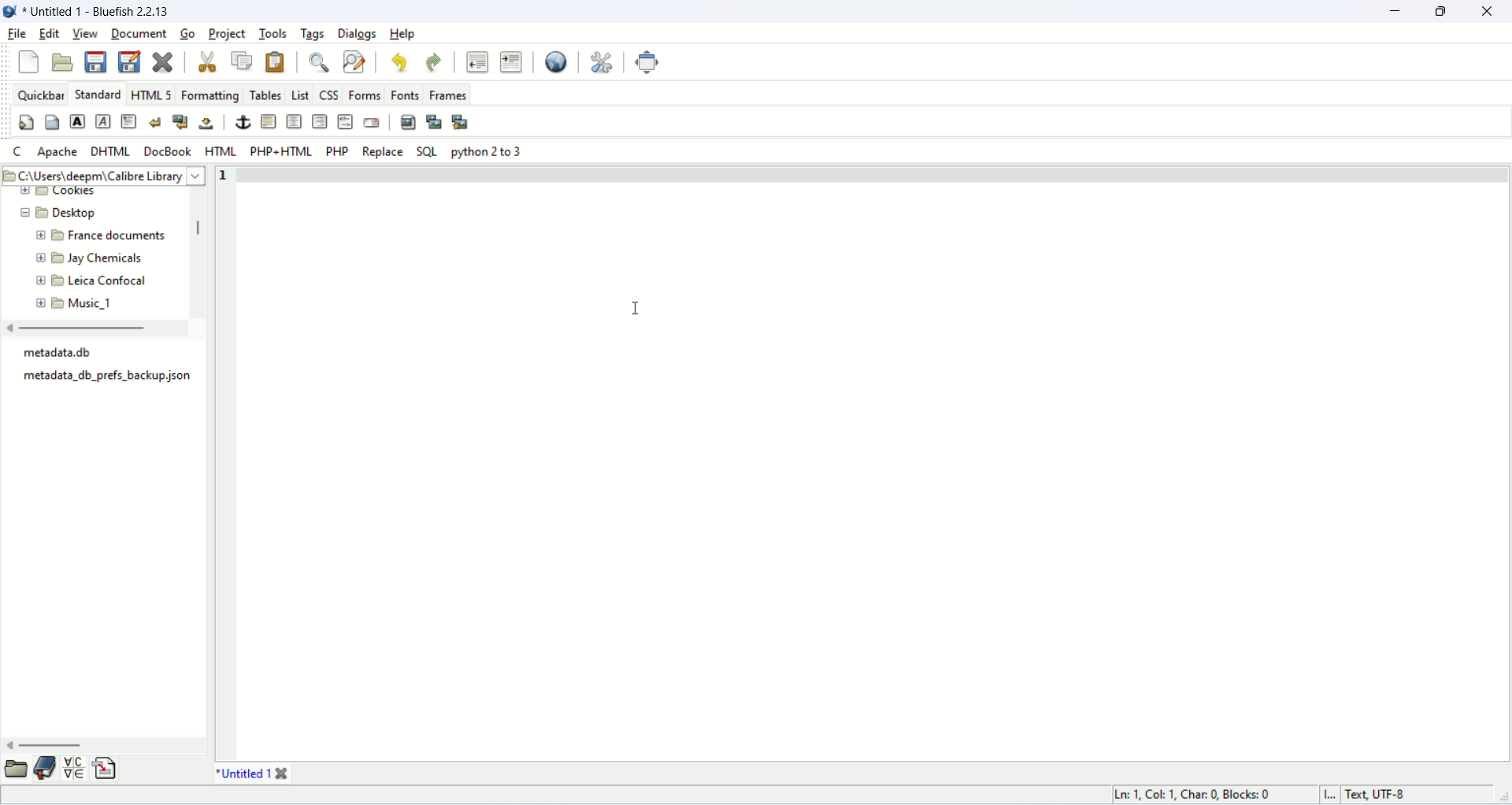  Describe the element at coordinates (94, 301) in the screenshot. I see `folder name` at that location.